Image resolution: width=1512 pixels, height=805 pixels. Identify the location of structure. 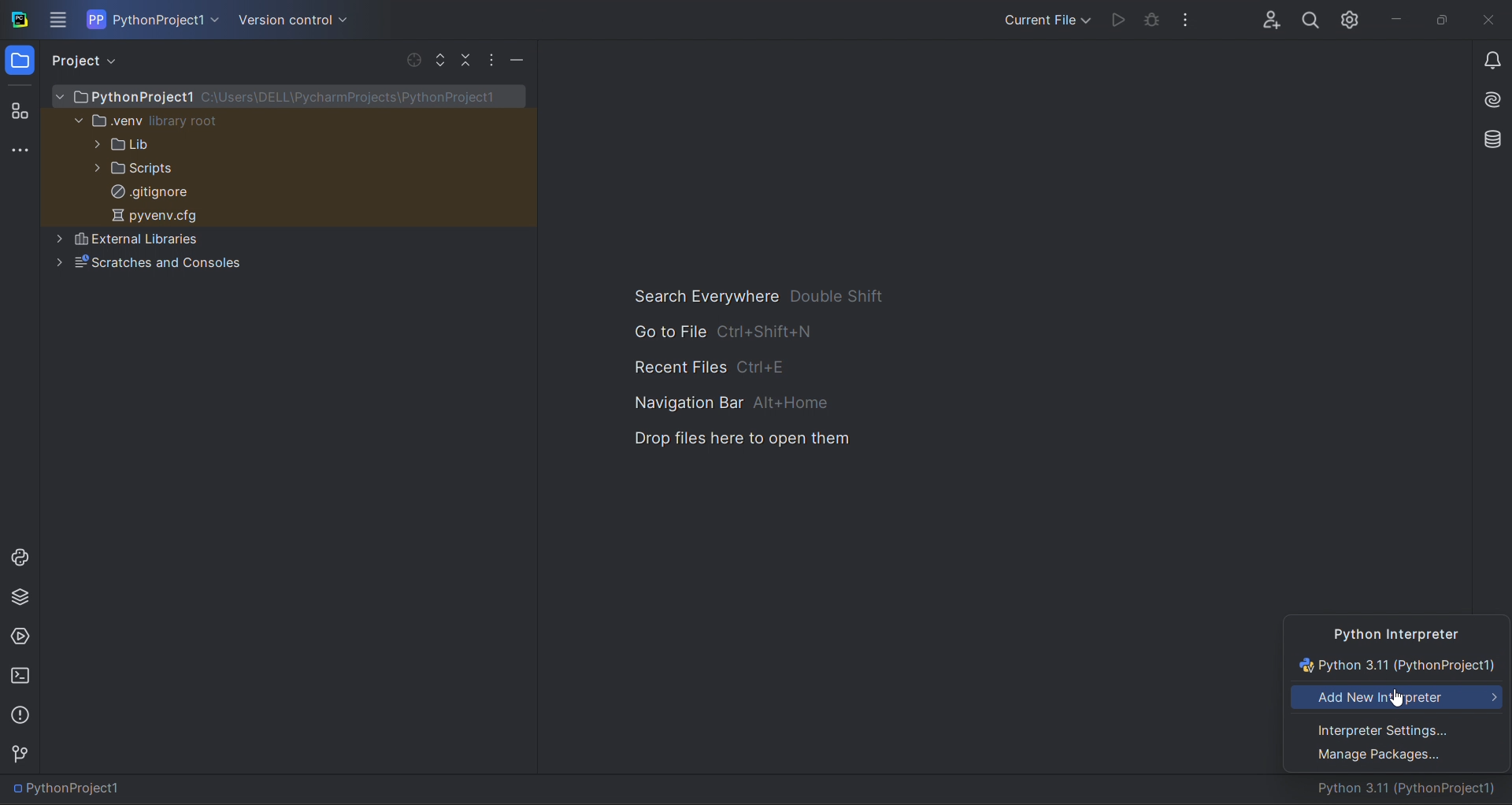
(19, 109).